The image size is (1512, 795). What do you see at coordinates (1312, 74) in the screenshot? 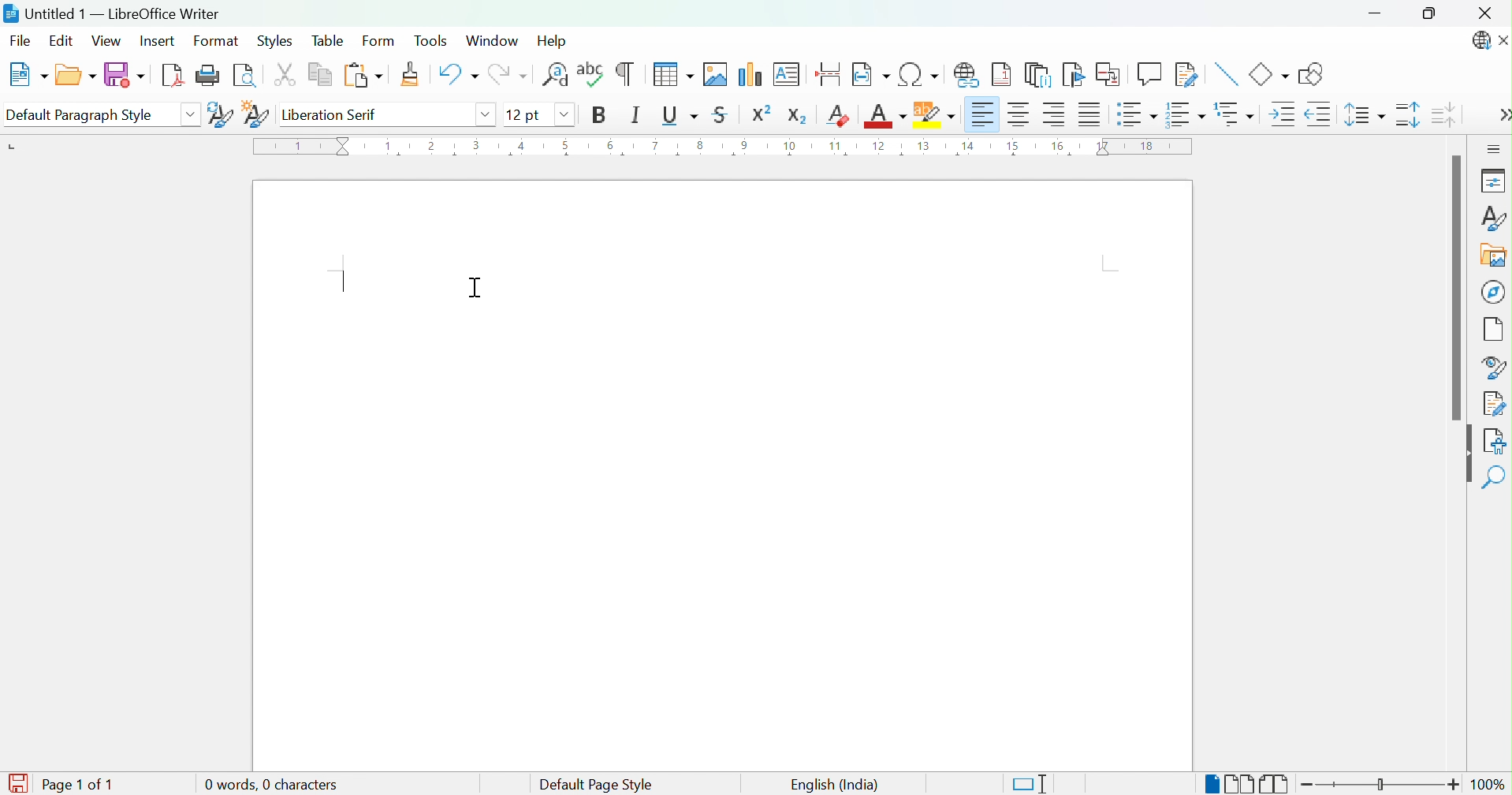
I see `Draw Basic Shapes` at bounding box center [1312, 74].